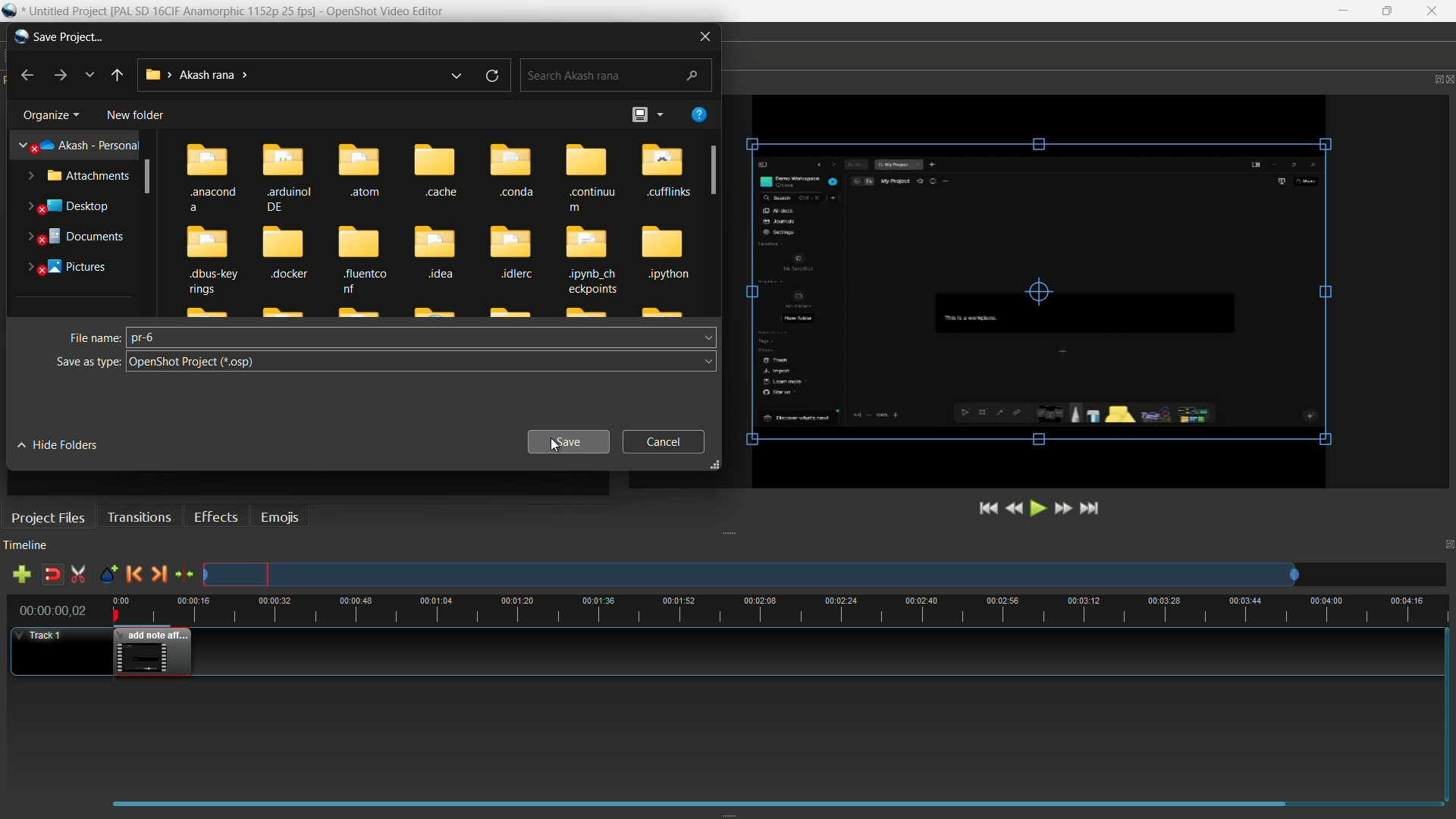  What do you see at coordinates (592, 261) in the screenshot?
I see `dipynb_ch
eckpoints` at bounding box center [592, 261].